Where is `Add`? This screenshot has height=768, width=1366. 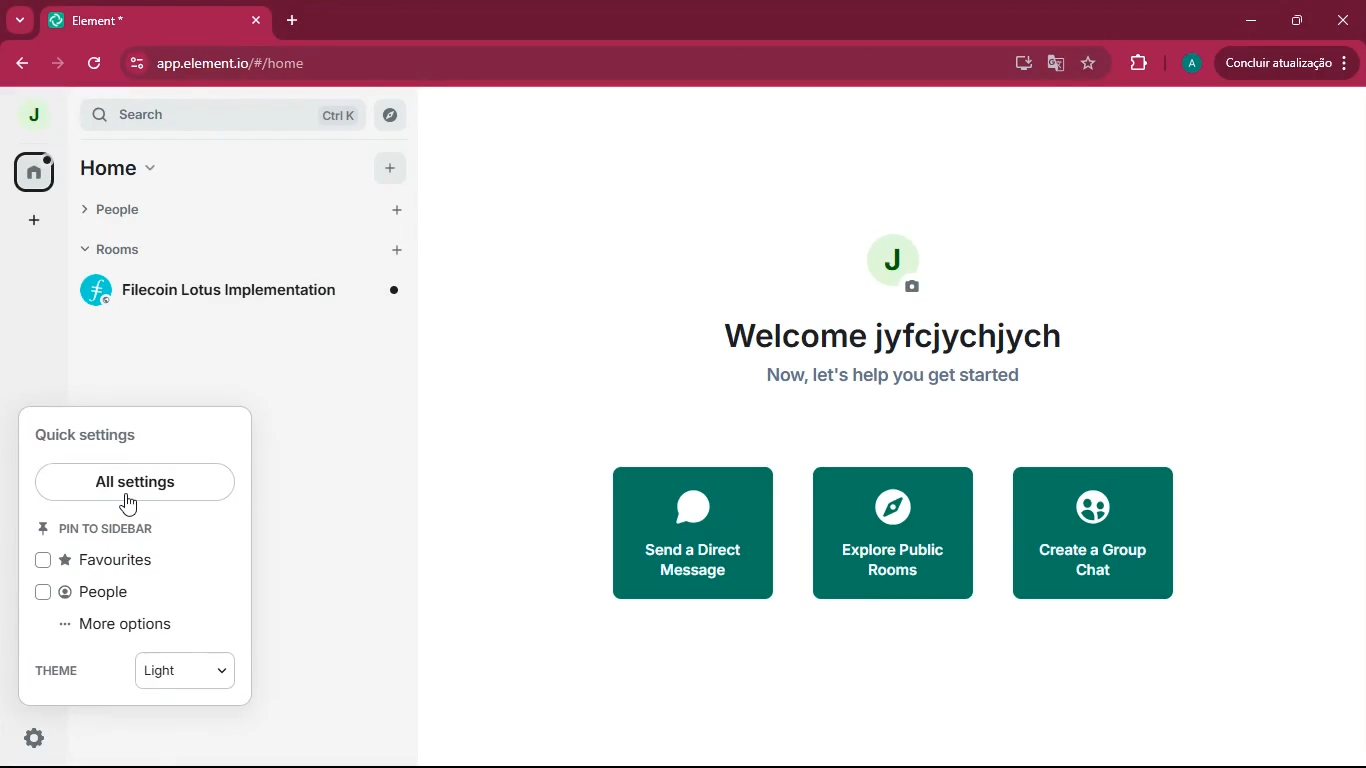
Add is located at coordinates (398, 251).